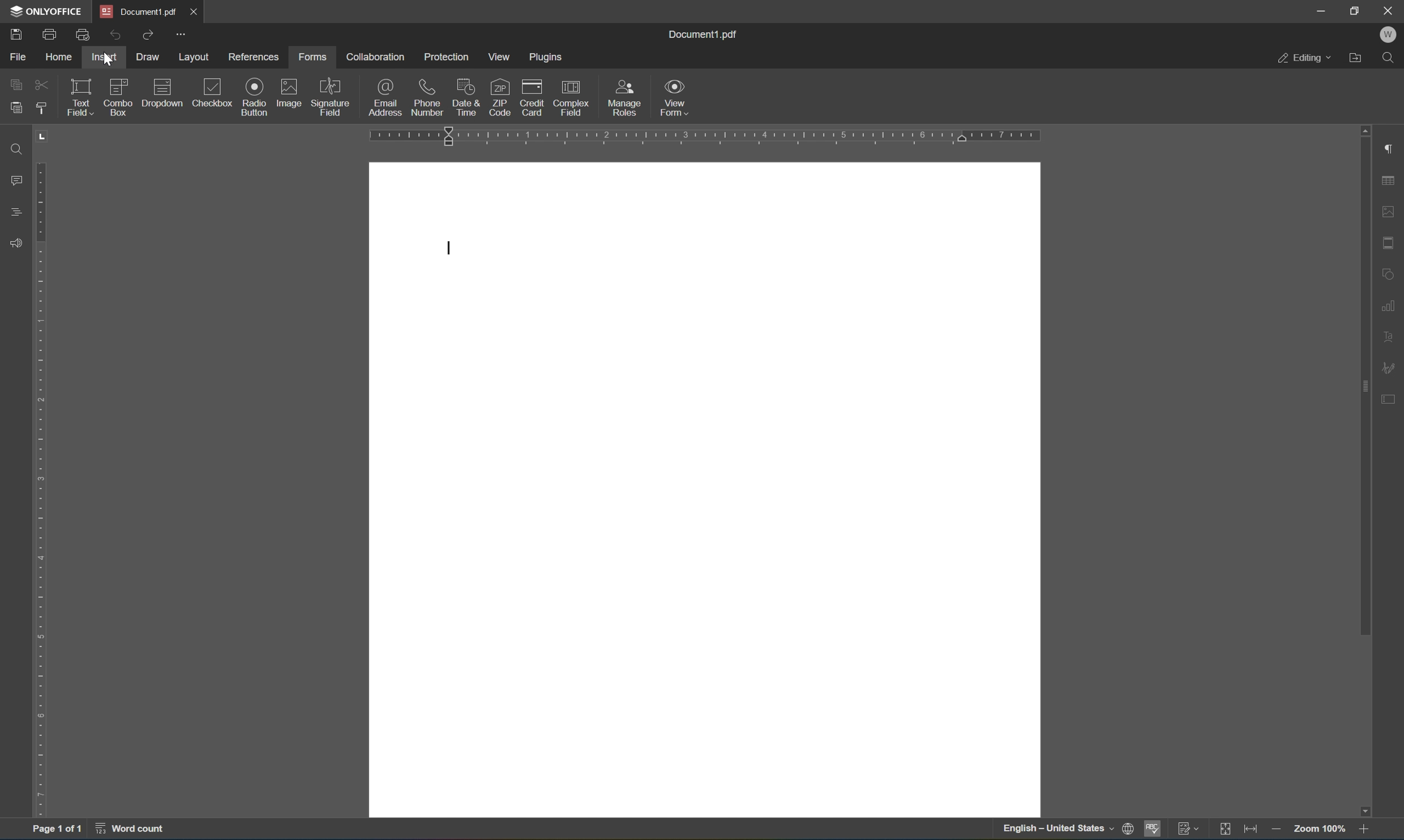  I want to click on Quick print, so click(84, 33).